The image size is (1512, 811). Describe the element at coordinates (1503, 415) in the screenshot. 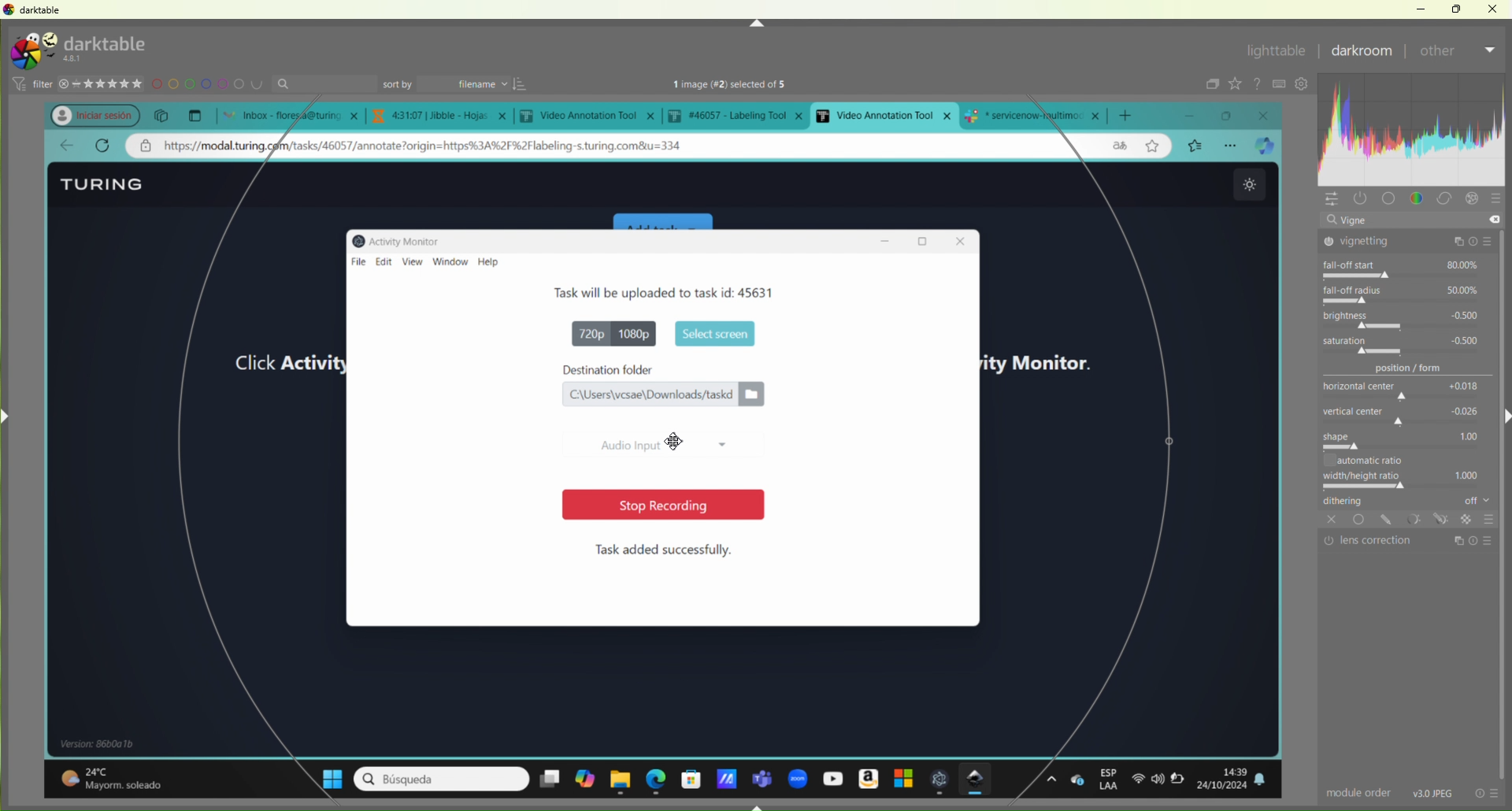

I see `Right` at that location.